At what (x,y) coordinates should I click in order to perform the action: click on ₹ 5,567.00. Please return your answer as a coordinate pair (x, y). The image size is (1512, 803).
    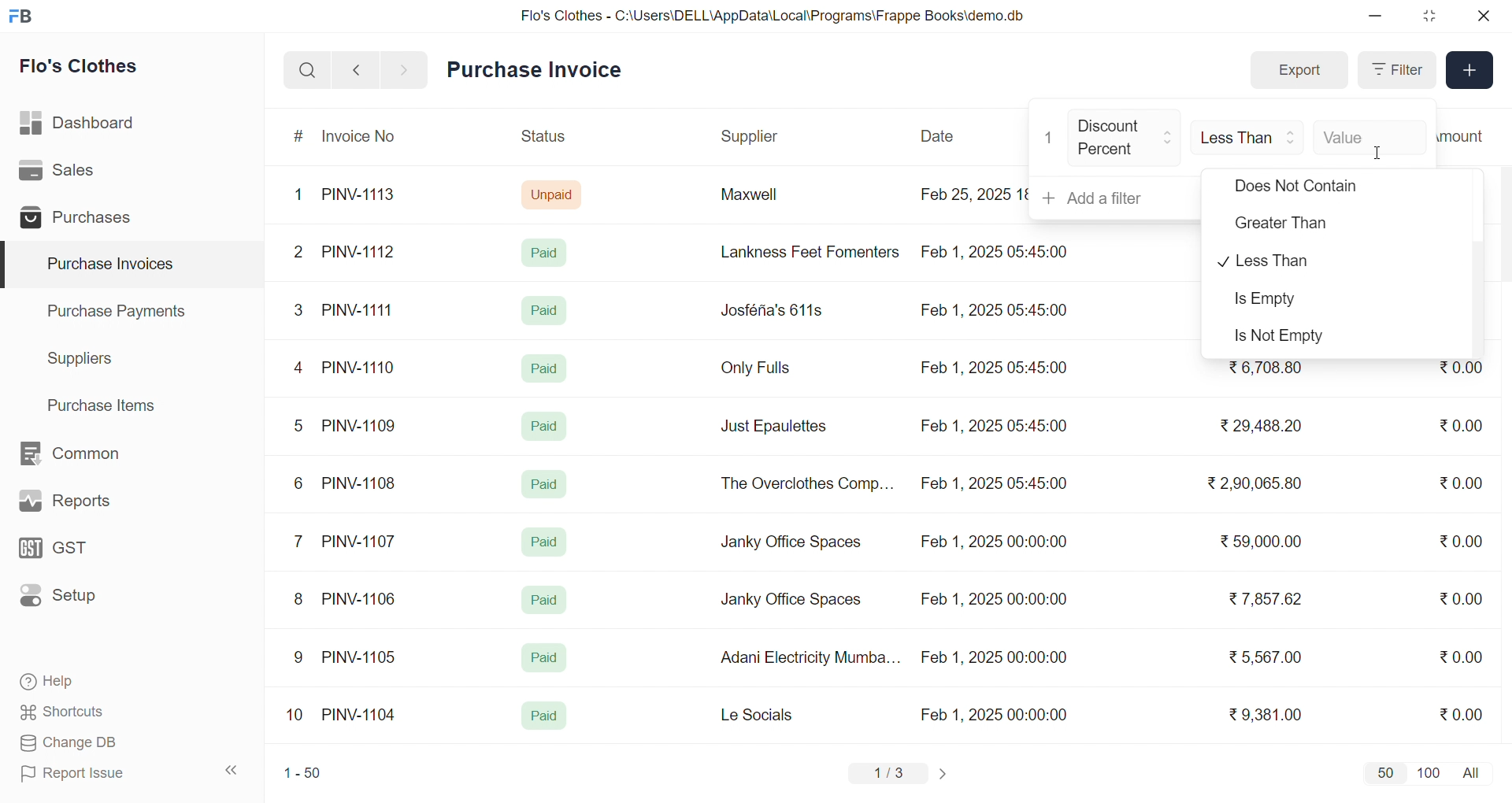
    Looking at the image, I should click on (1262, 657).